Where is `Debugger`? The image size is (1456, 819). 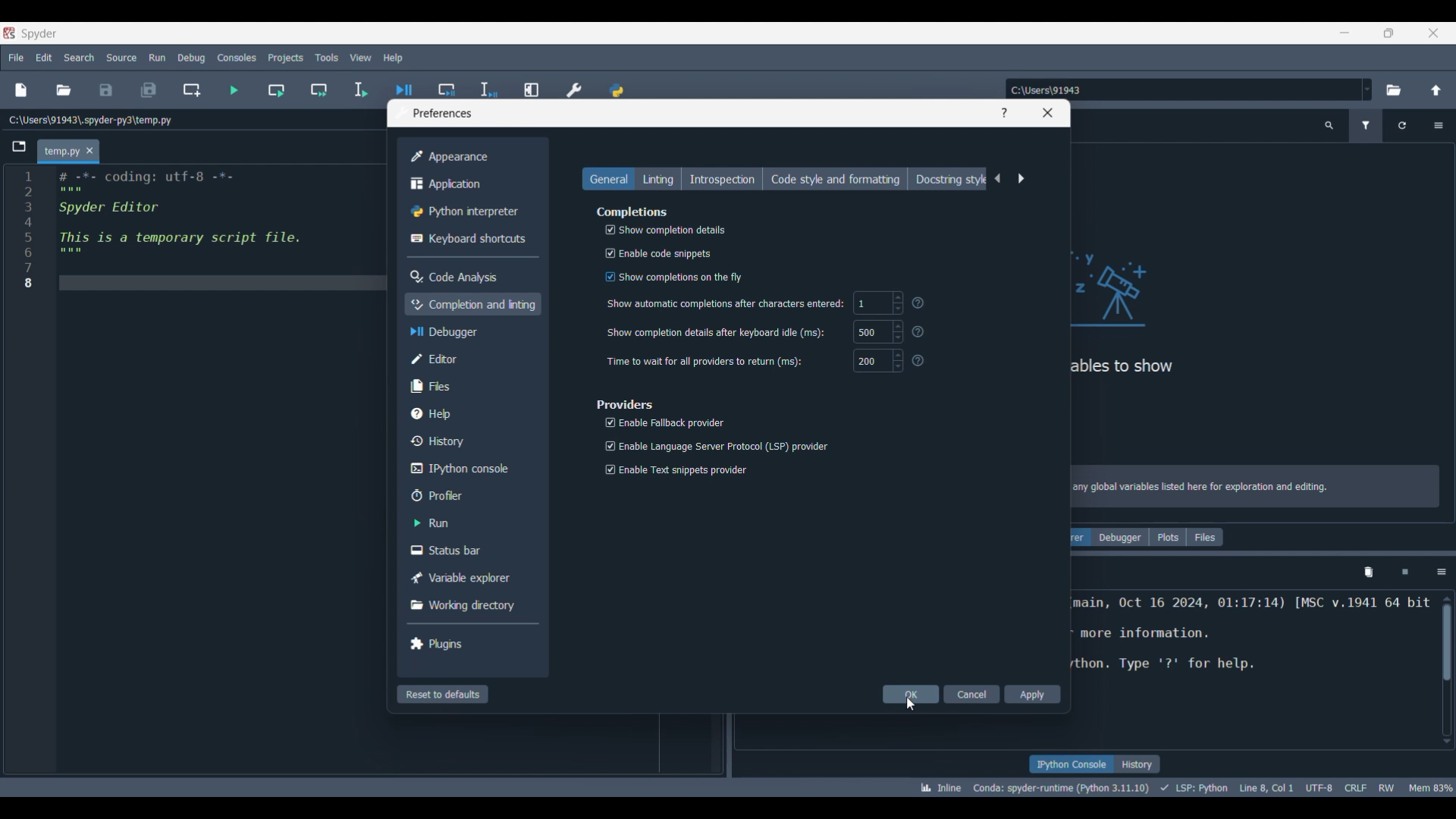 Debugger is located at coordinates (1120, 537).